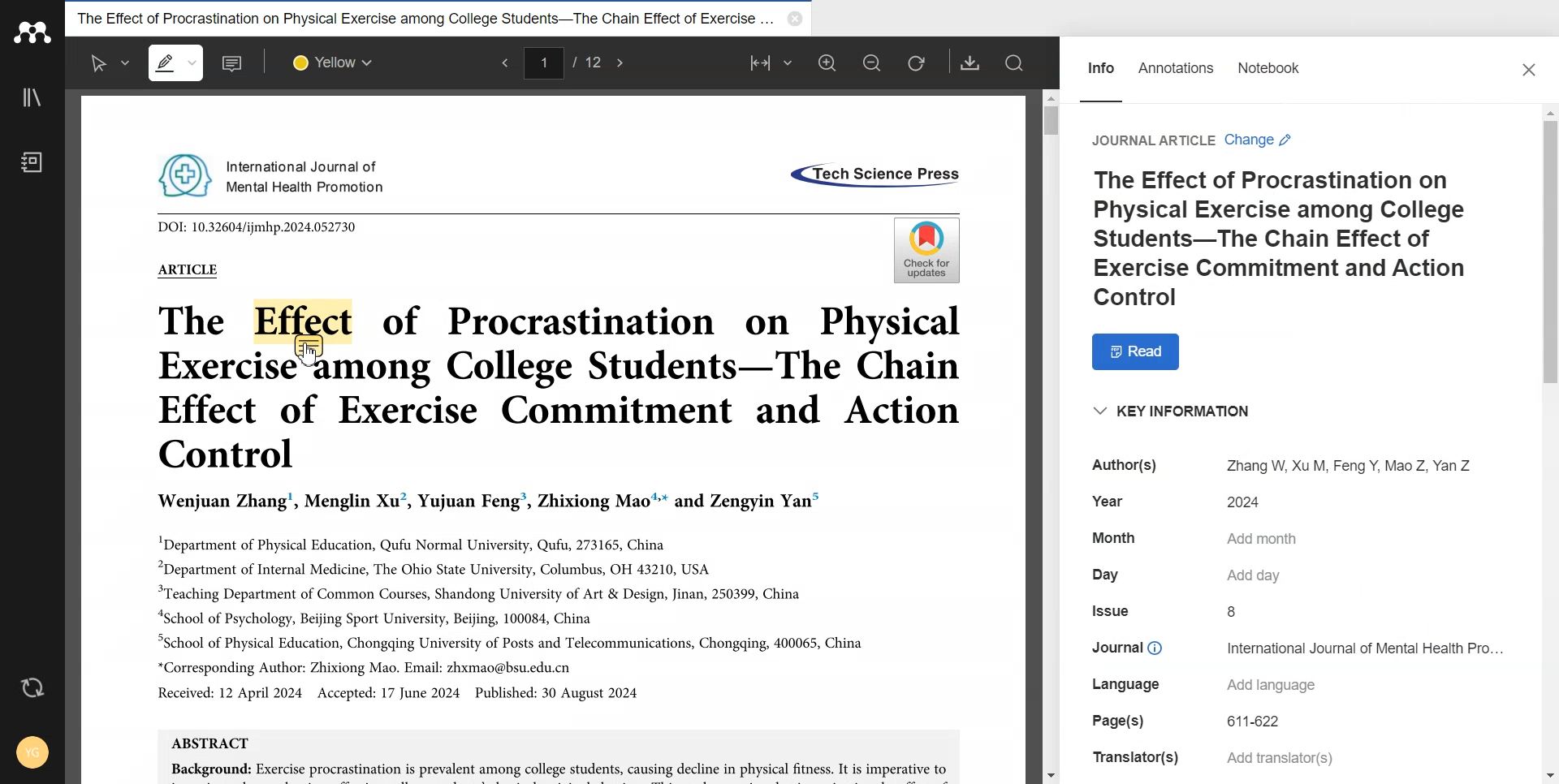 This screenshot has width=1559, height=784. What do you see at coordinates (1293, 239) in the screenshot?
I see ` The Effect of Procrastination on Physical Exercise among College Students-The Chain Effect of Exercise Commitment and Action Control` at bounding box center [1293, 239].